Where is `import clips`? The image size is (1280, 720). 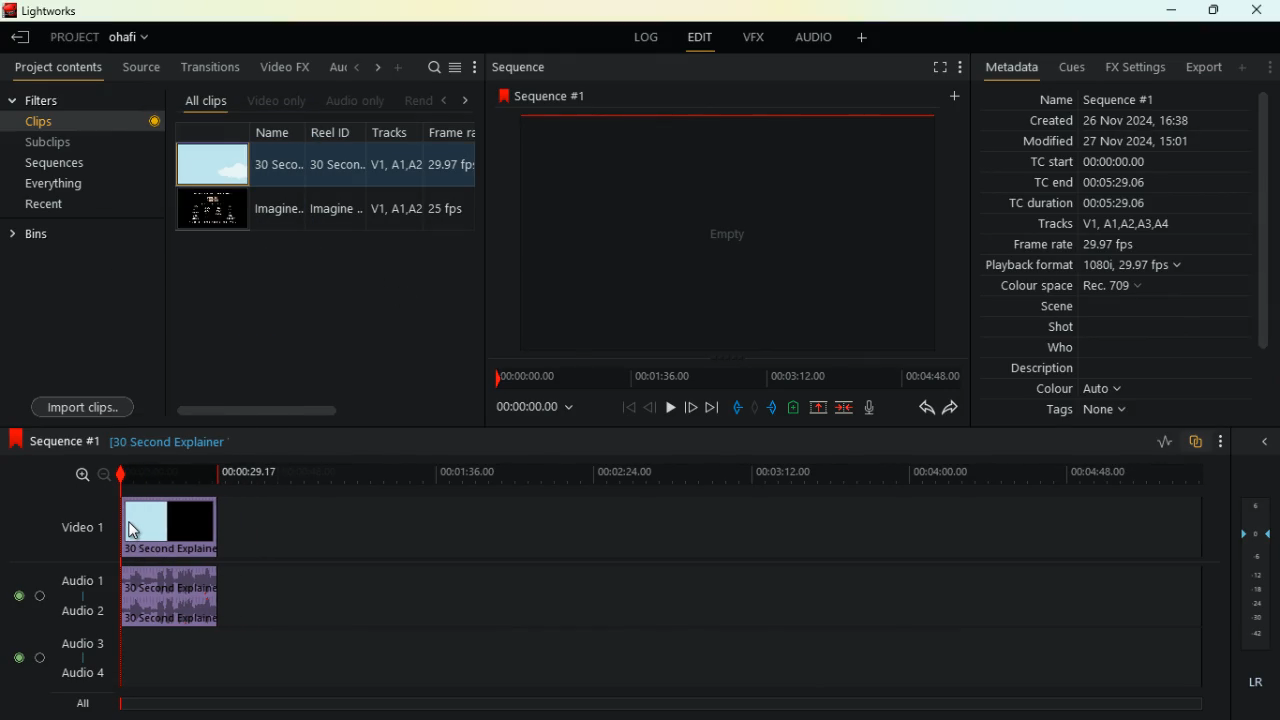 import clips is located at coordinates (83, 405).